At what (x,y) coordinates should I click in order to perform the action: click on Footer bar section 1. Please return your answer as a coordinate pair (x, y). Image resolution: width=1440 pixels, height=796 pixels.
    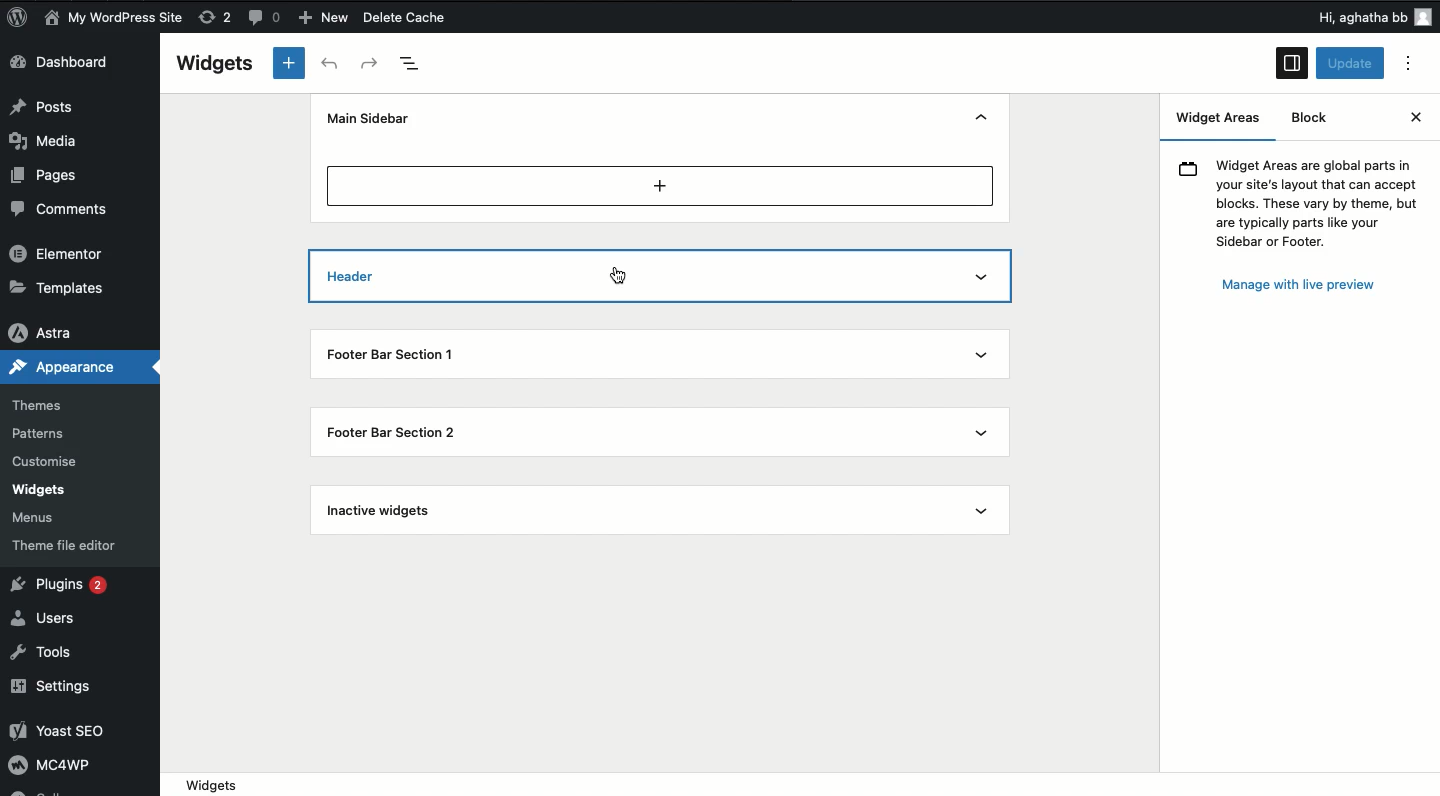
    Looking at the image, I should click on (397, 354).